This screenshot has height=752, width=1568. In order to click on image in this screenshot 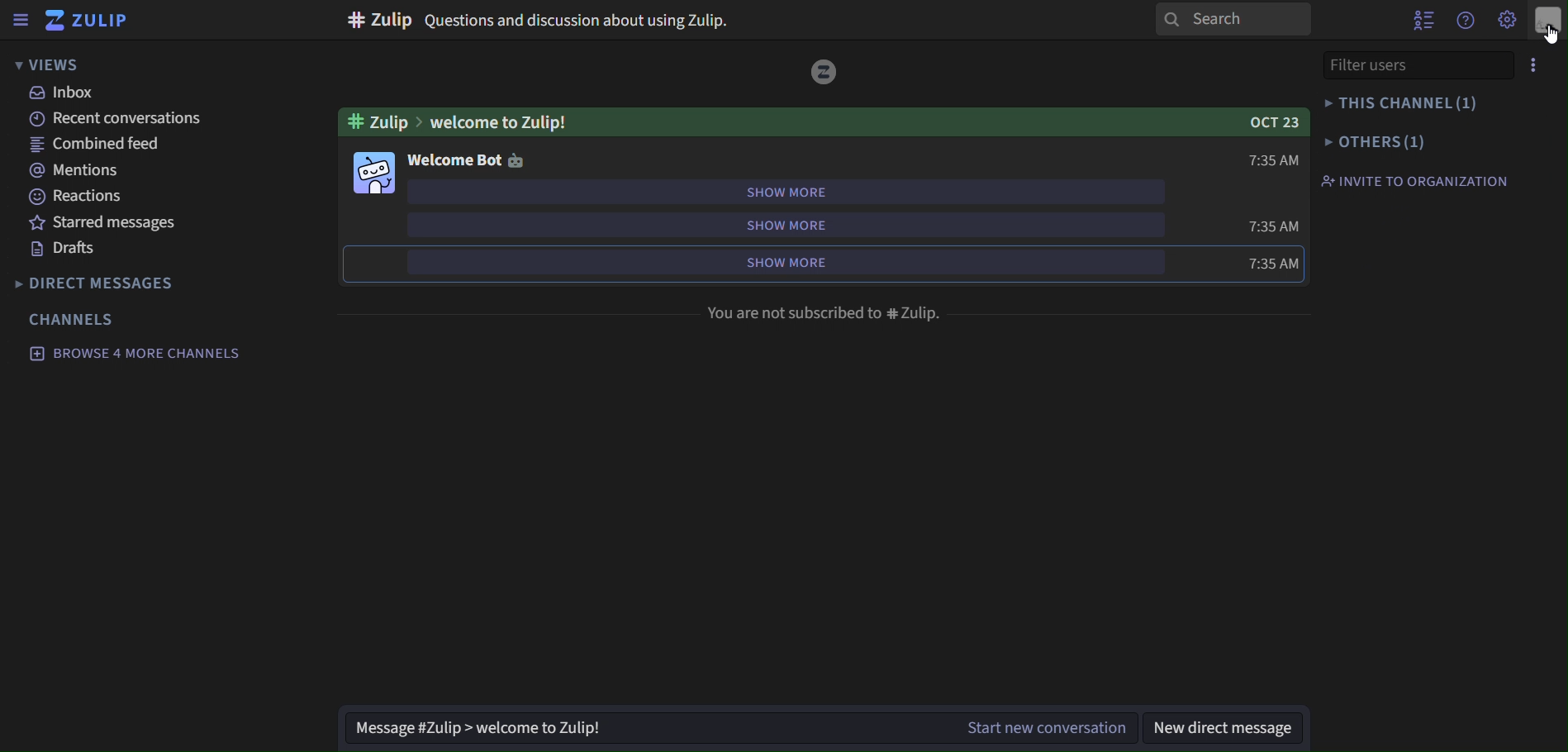, I will do `click(377, 174)`.